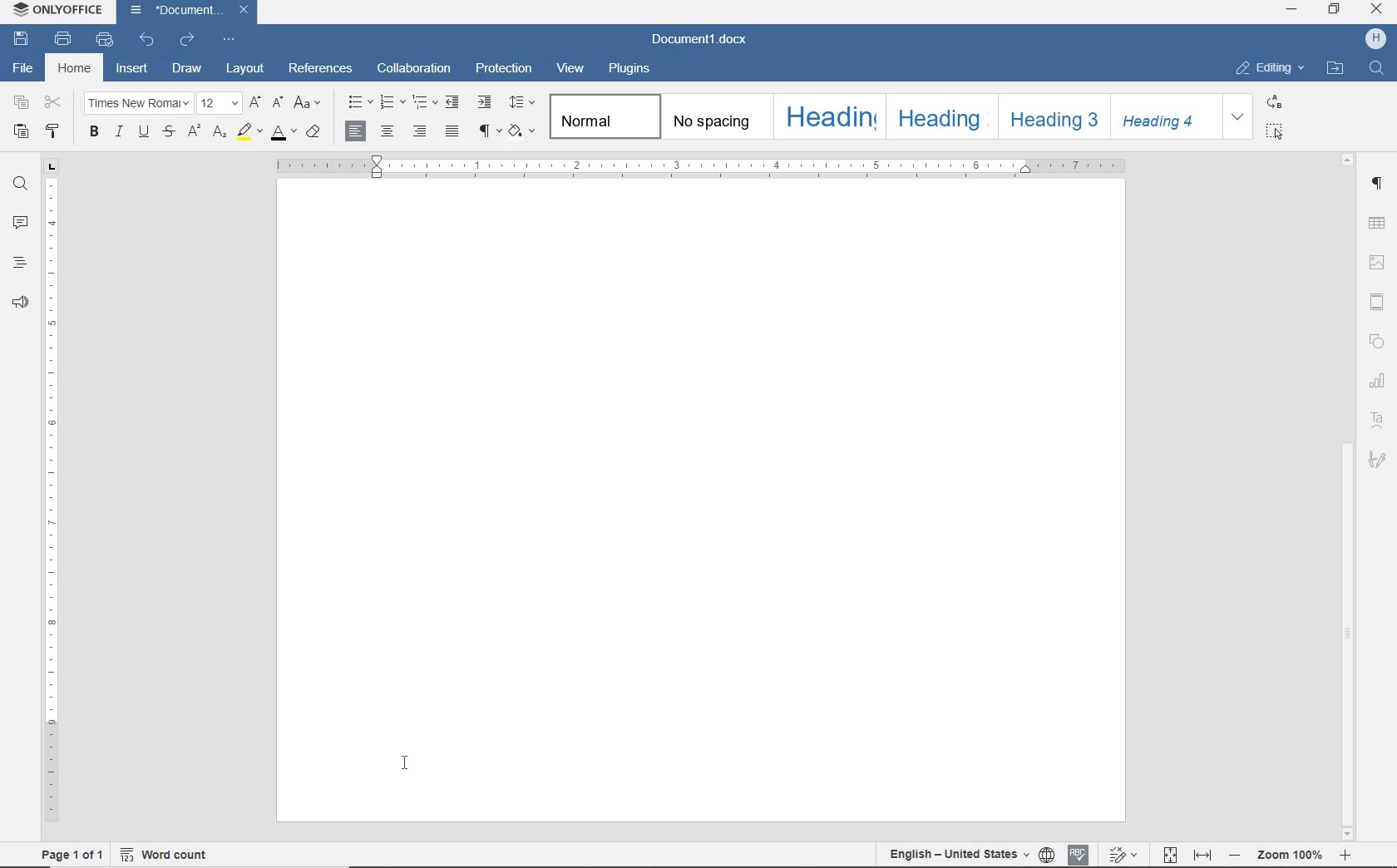 This screenshot has width=1397, height=868. Describe the element at coordinates (72, 855) in the screenshot. I see `page1 of 1` at that location.